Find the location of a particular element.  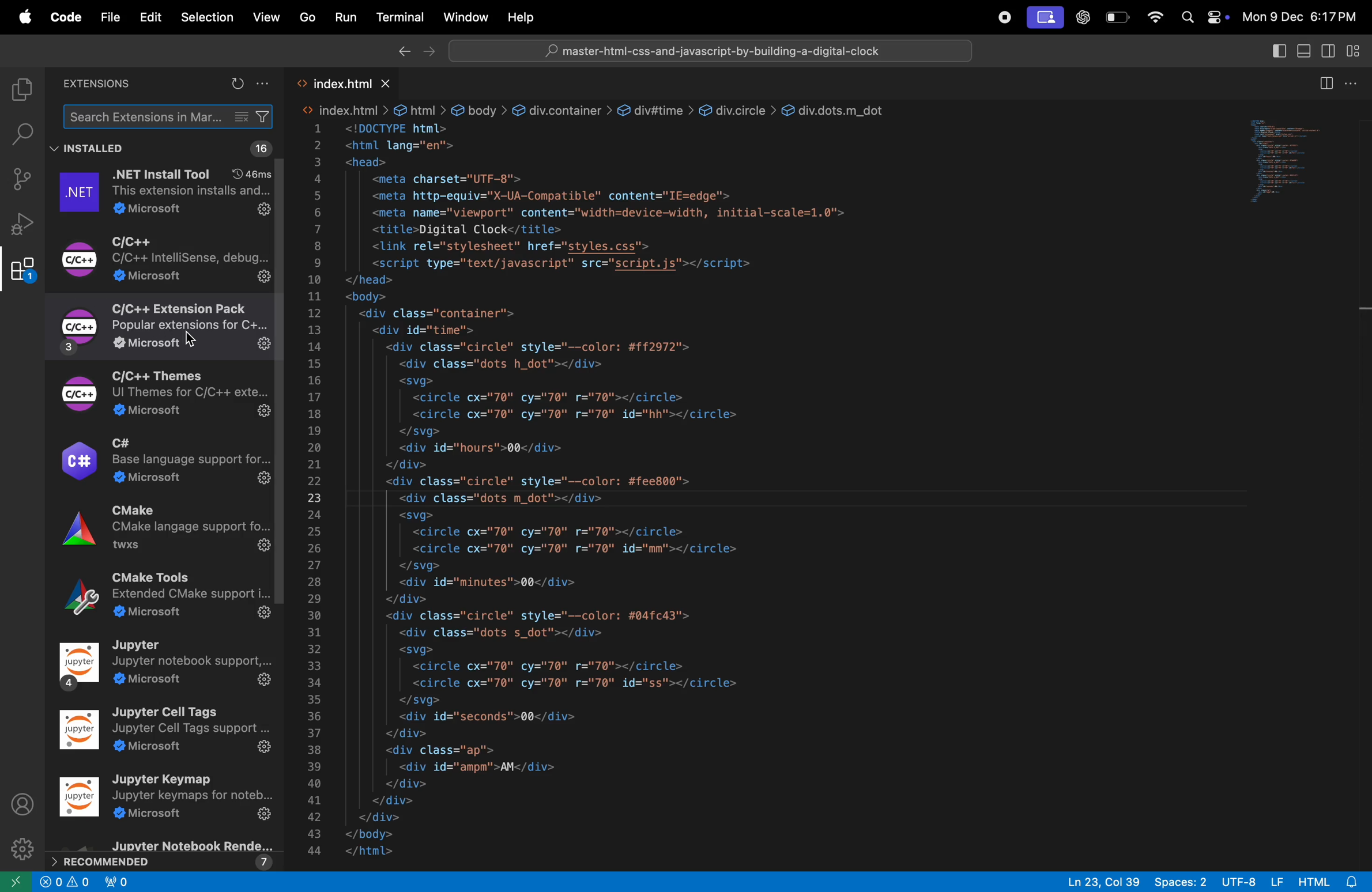

search extensions is located at coordinates (168, 116).